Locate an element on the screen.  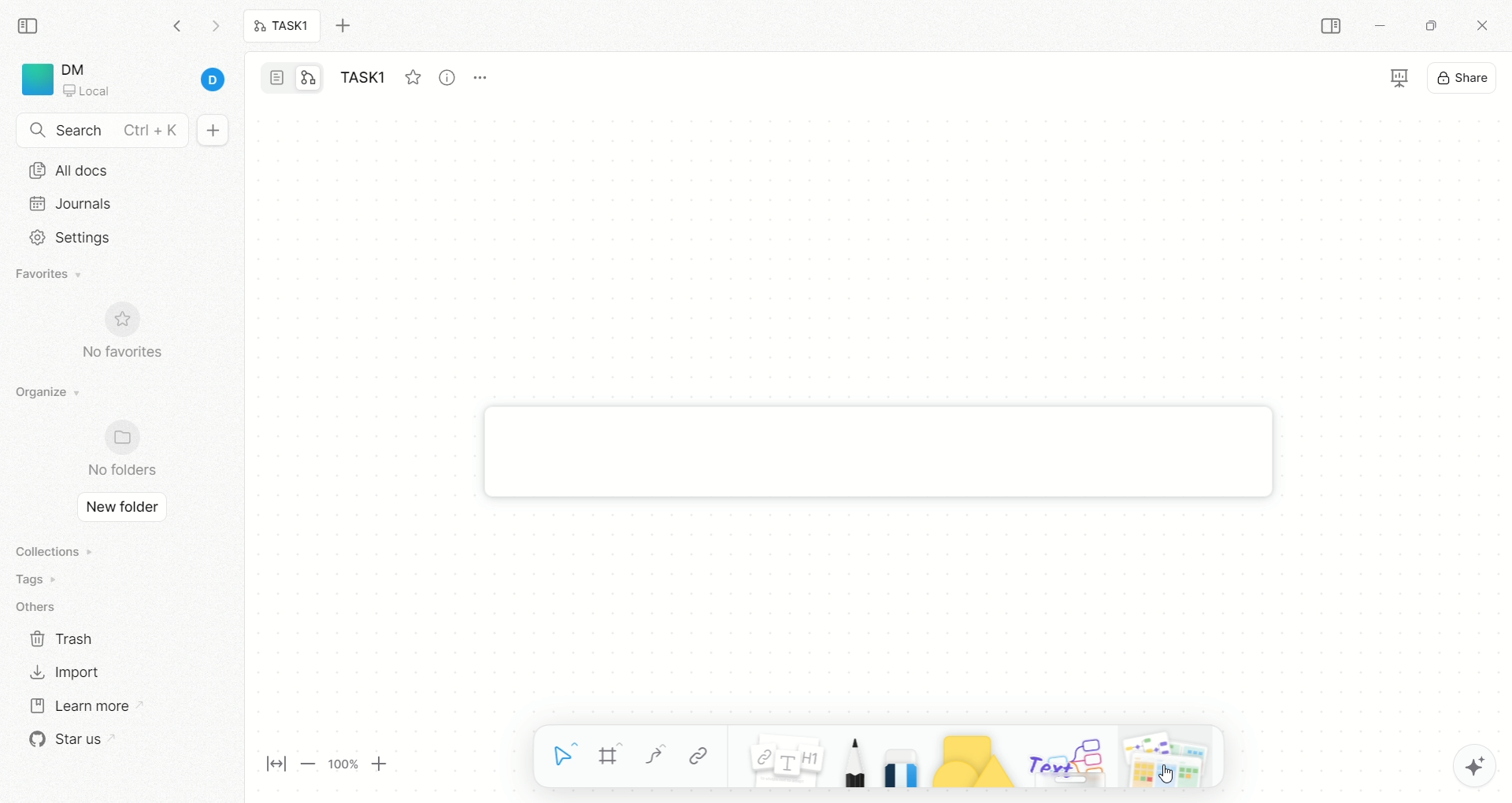
organize is located at coordinates (43, 393).